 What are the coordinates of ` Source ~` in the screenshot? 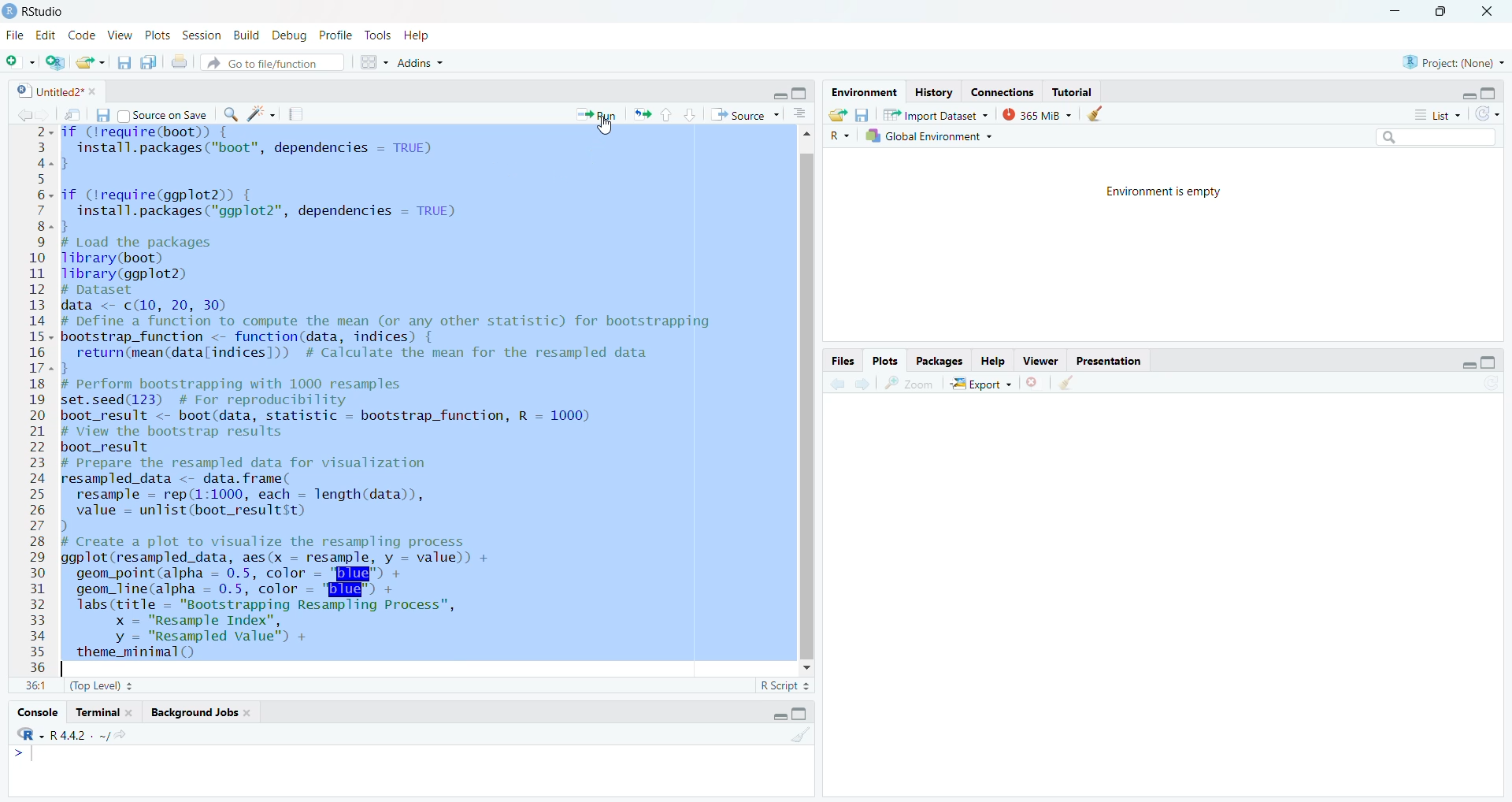 It's located at (749, 116).